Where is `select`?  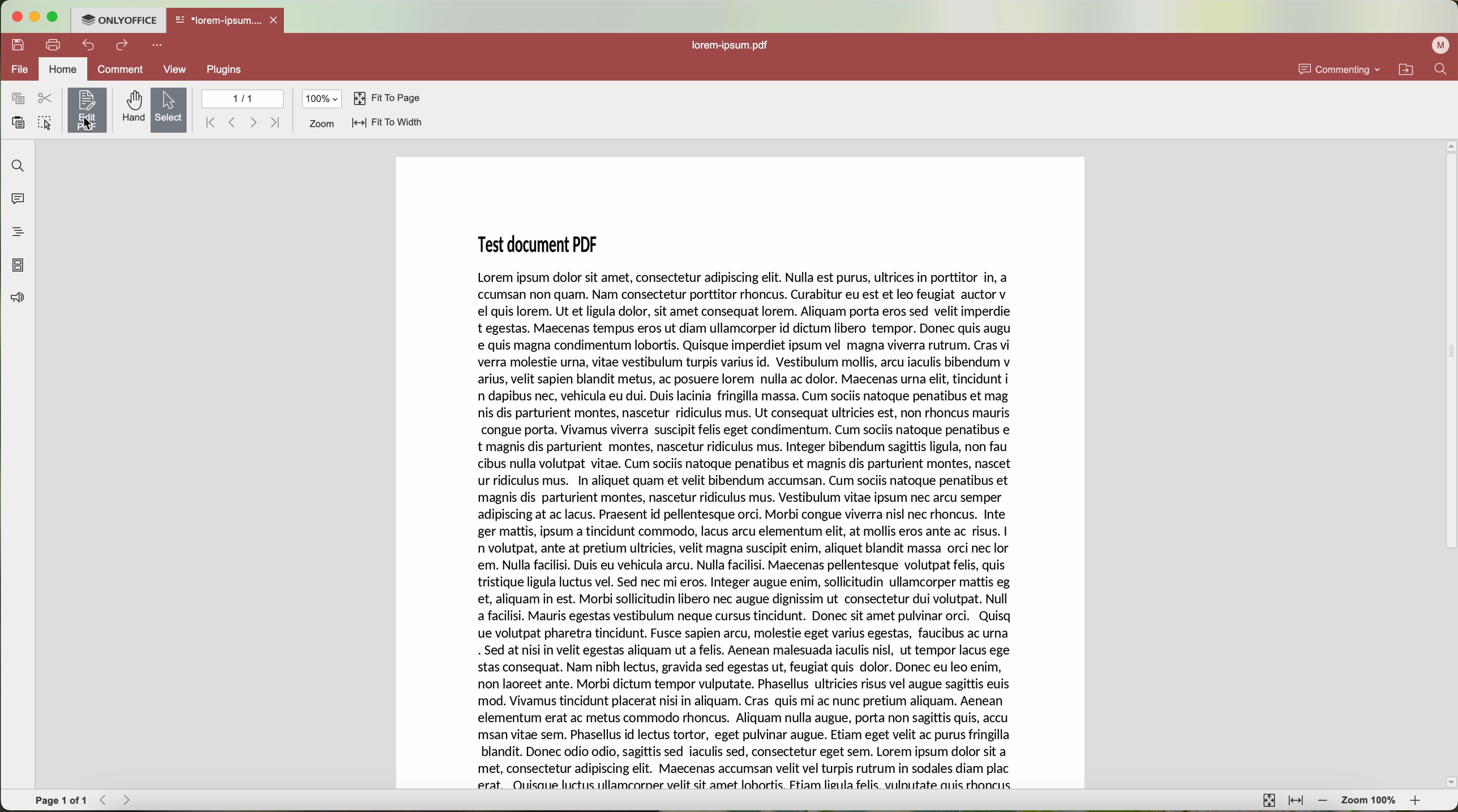 select is located at coordinates (169, 110).